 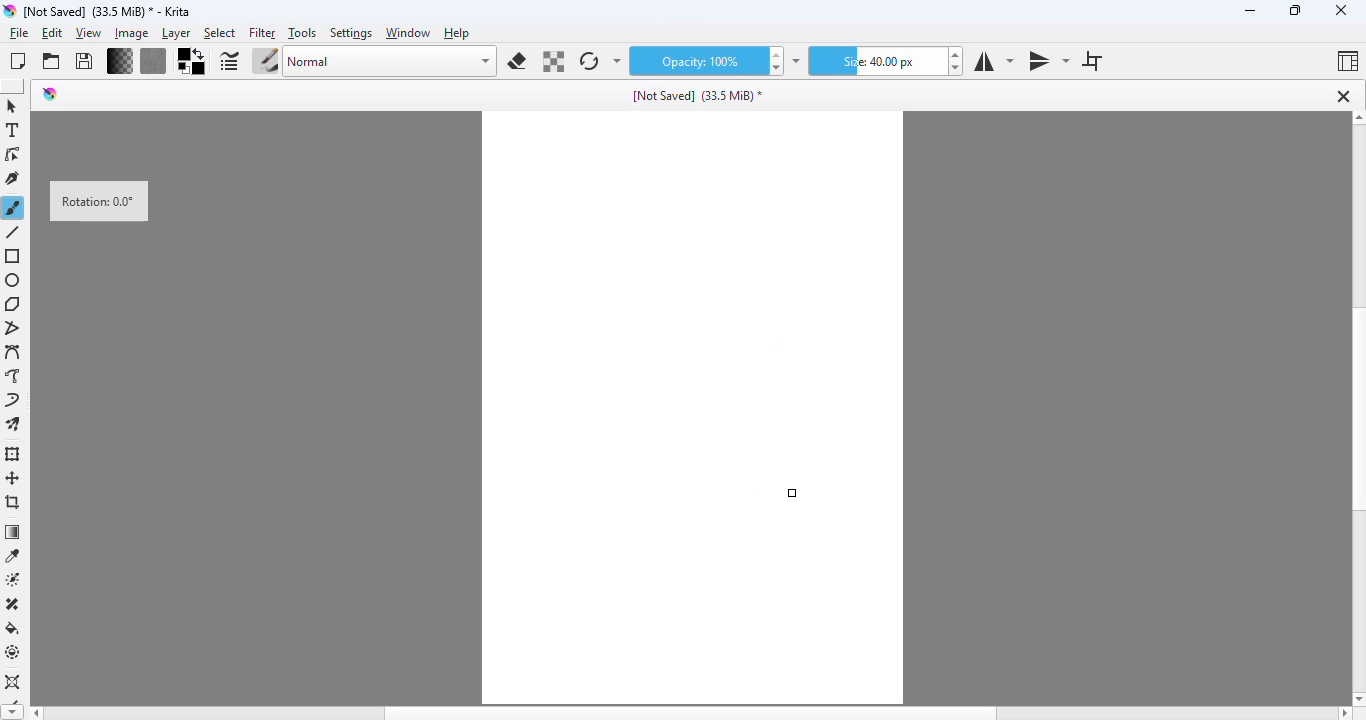 What do you see at coordinates (1252, 11) in the screenshot?
I see `minimize` at bounding box center [1252, 11].